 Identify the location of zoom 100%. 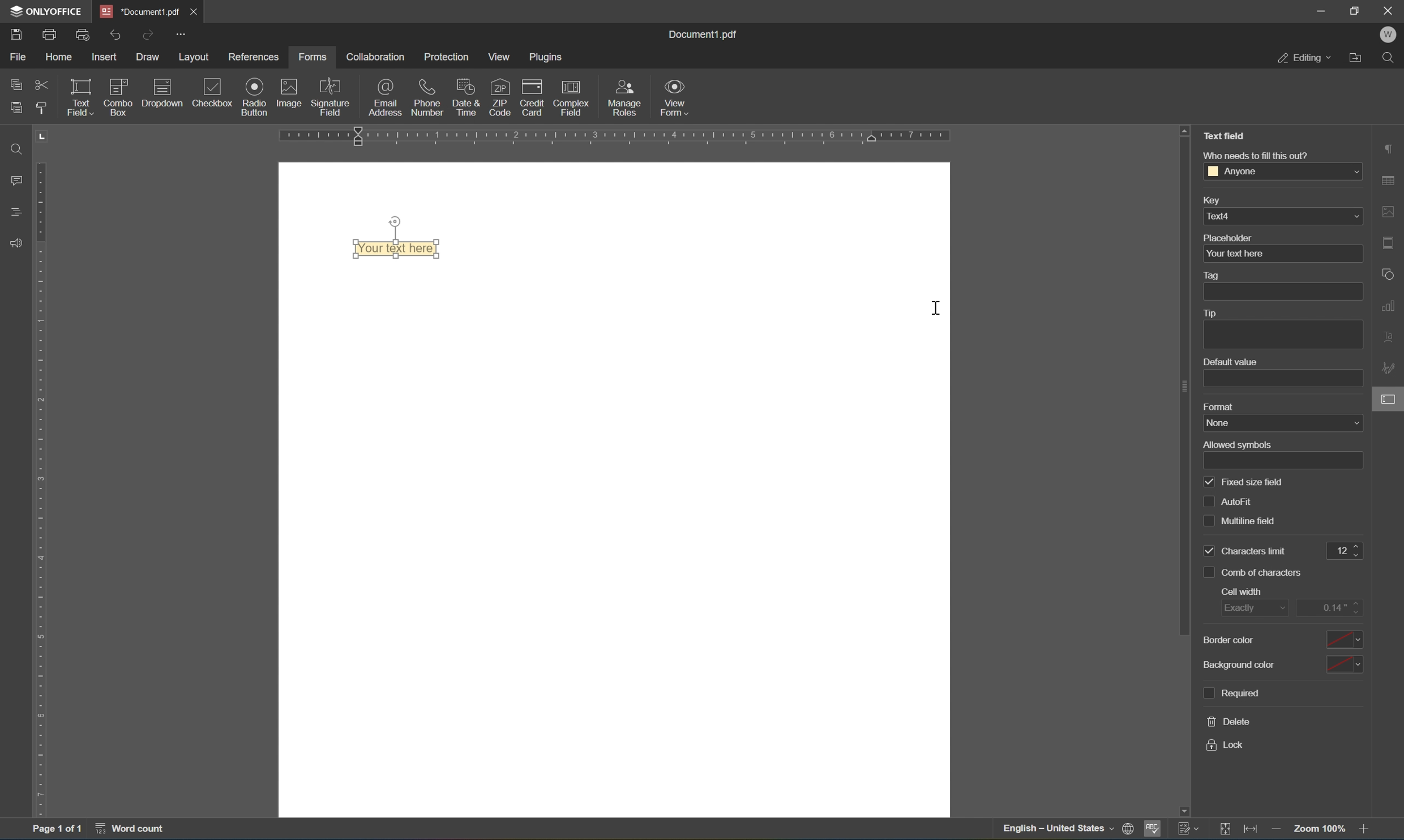
(1319, 830).